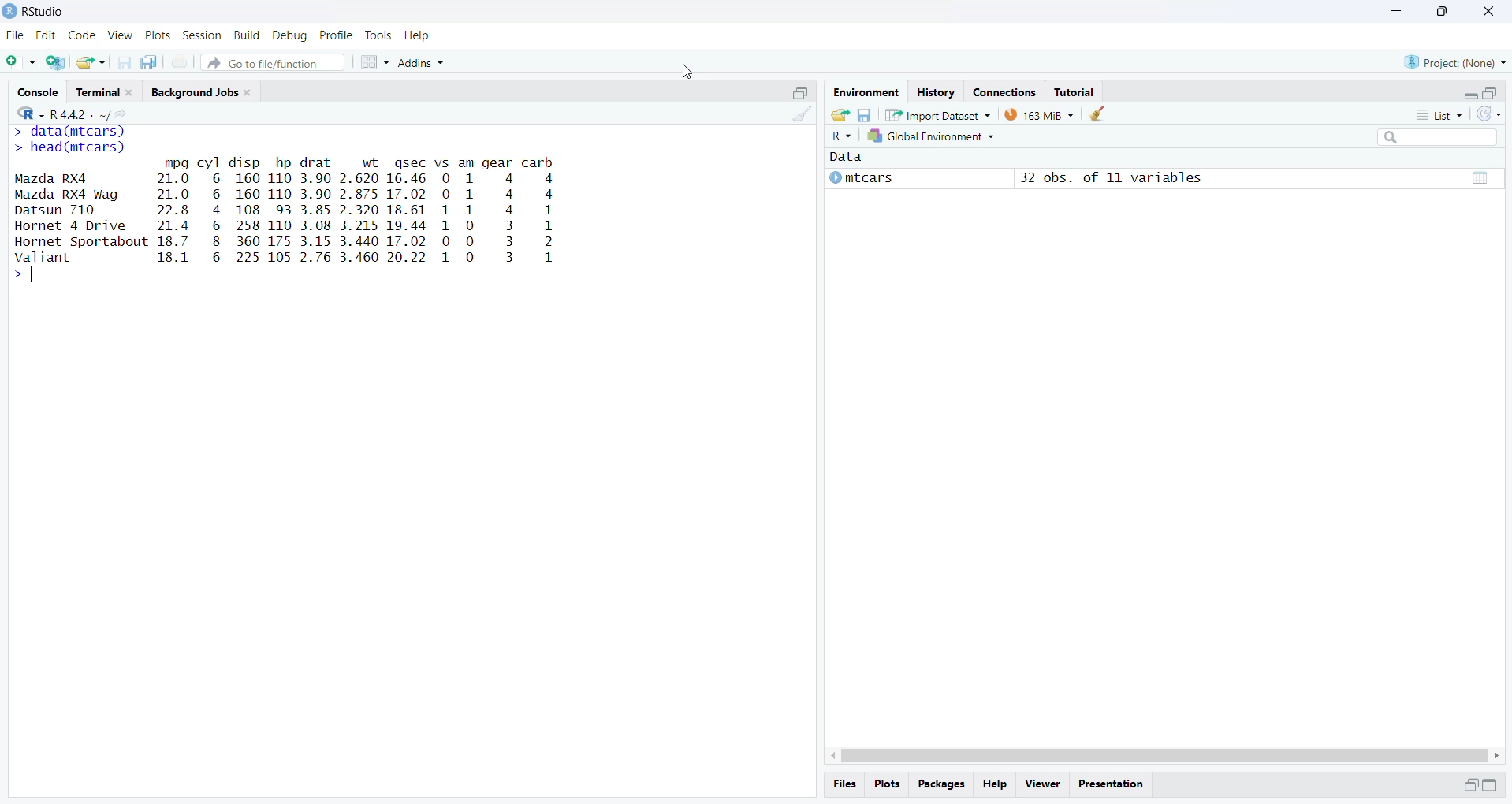  Describe the element at coordinates (80, 115) in the screenshot. I see `R 4.4.2 ~/` at that location.